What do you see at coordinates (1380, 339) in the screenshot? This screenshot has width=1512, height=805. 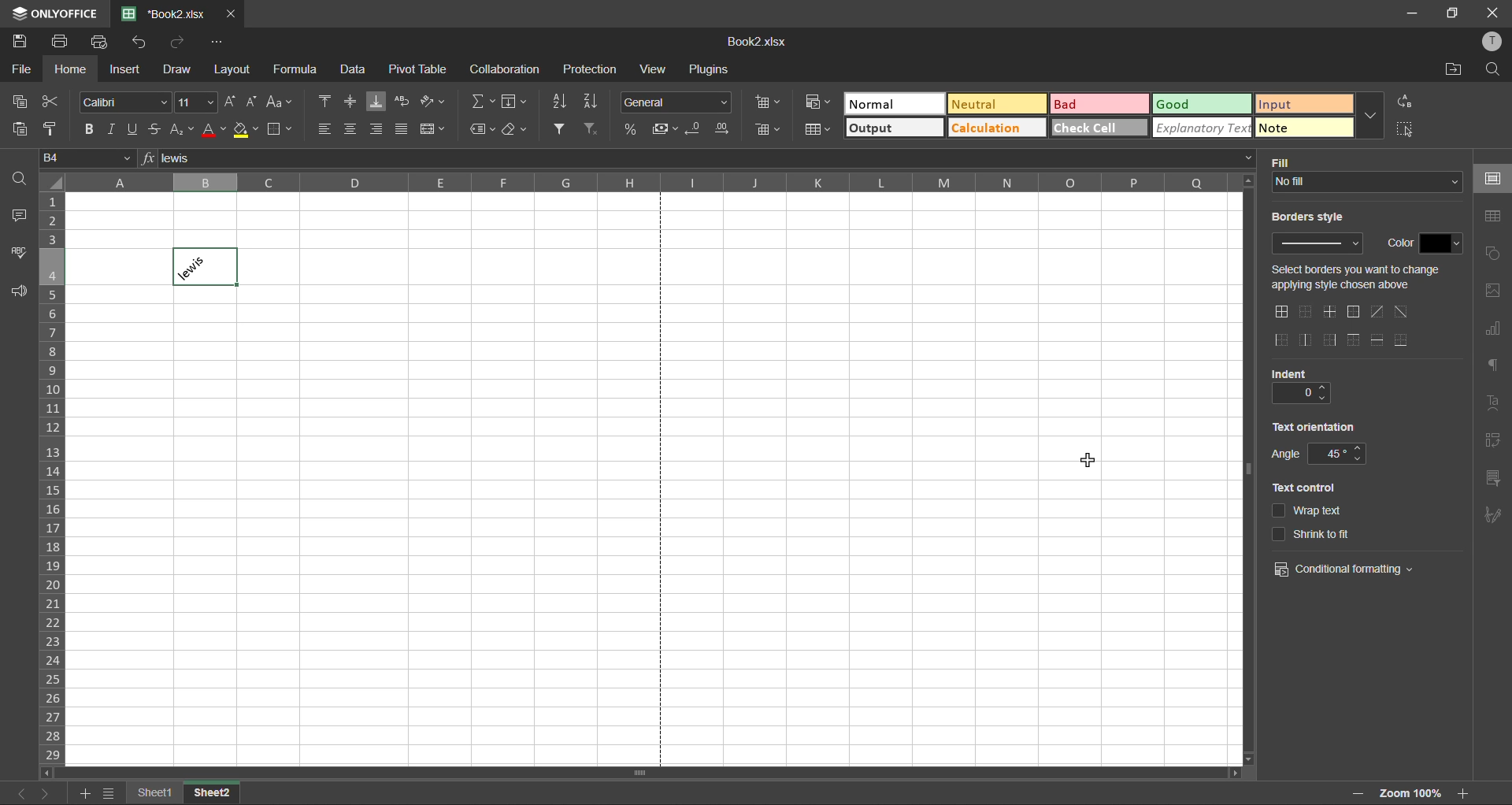 I see `horizontal inner lines only` at bounding box center [1380, 339].